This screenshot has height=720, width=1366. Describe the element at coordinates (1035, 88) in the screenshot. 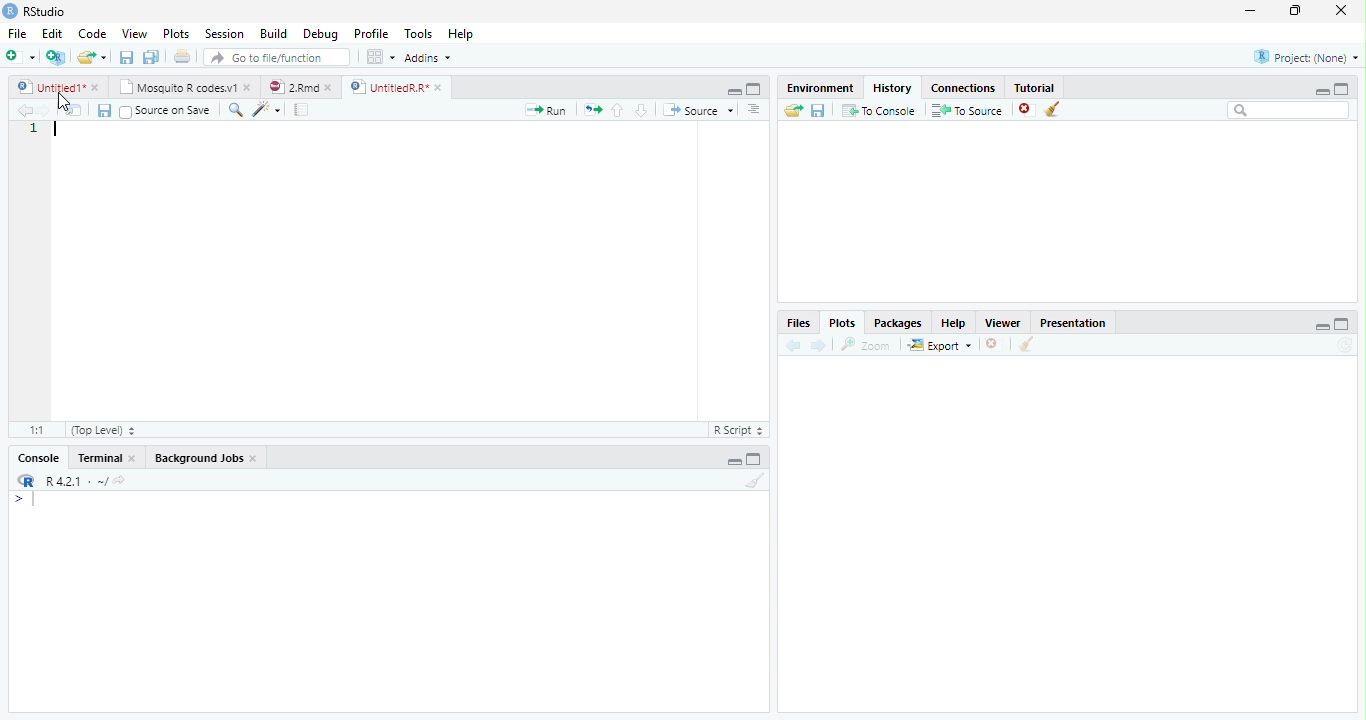

I see `Tutorial` at that location.